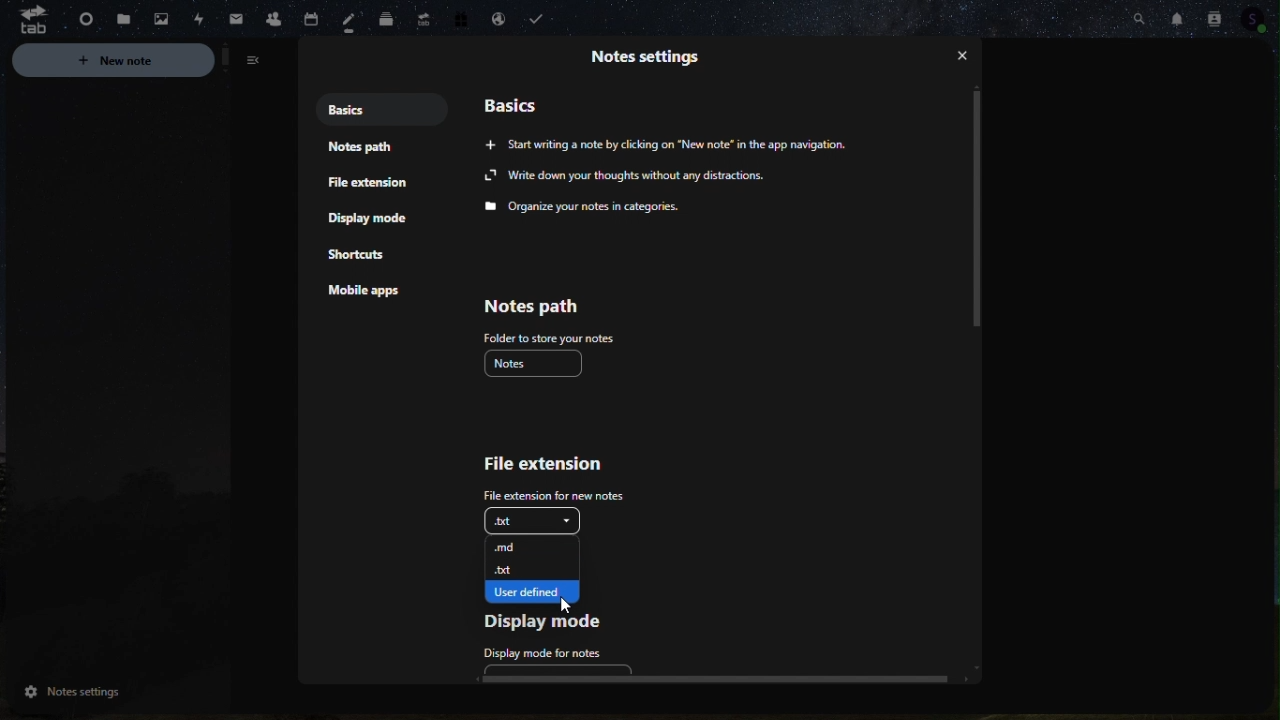 This screenshot has height=720, width=1280. What do you see at coordinates (107, 692) in the screenshot?
I see `Notes Settings` at bounding box center [107, 692].